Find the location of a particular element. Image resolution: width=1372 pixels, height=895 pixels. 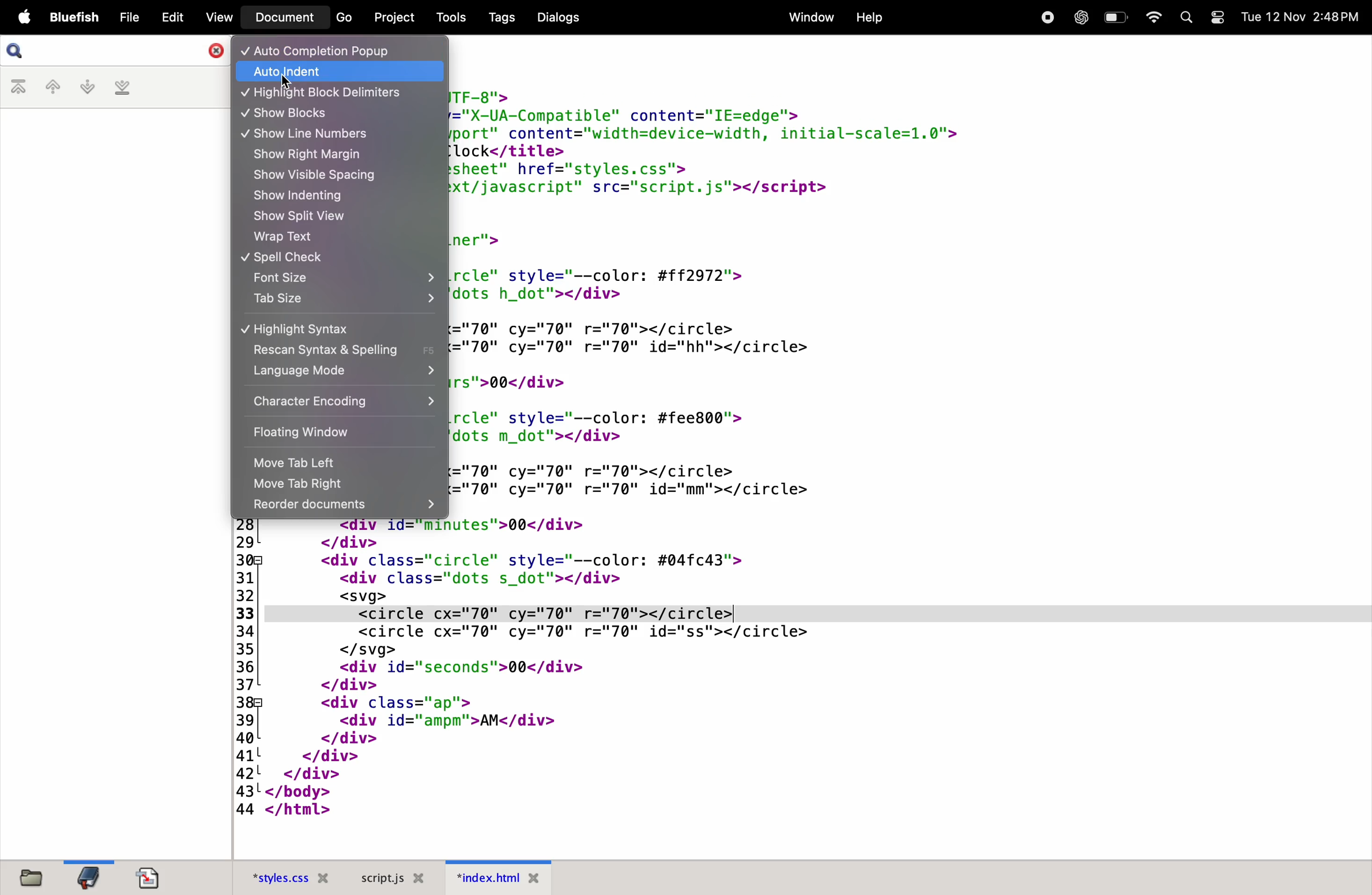

auto completion pop up is located at coordinates (337, 48).